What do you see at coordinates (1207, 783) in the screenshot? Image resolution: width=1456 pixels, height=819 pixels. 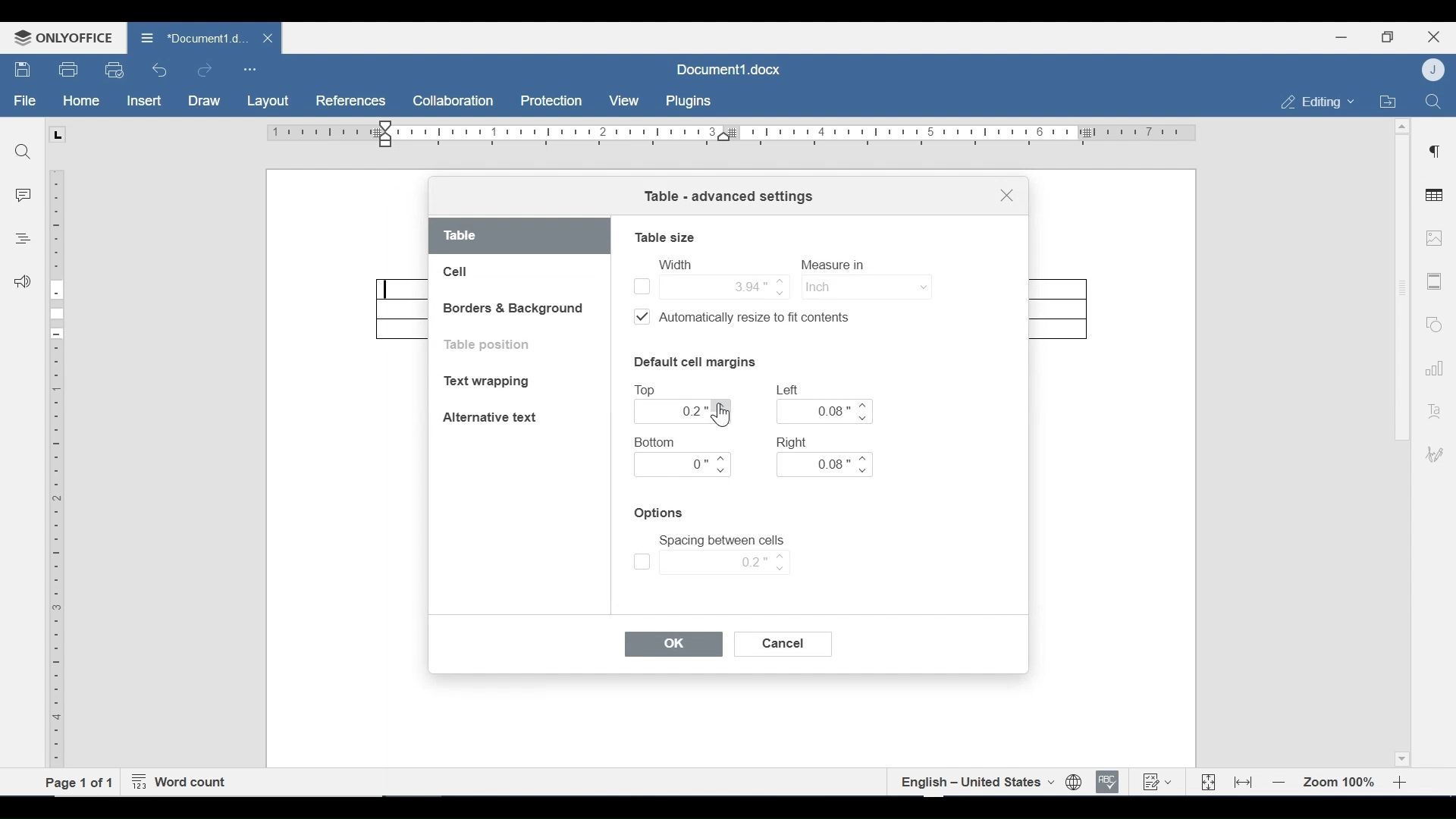 I see `Fit to Page` at bounding box center [1207, 783].